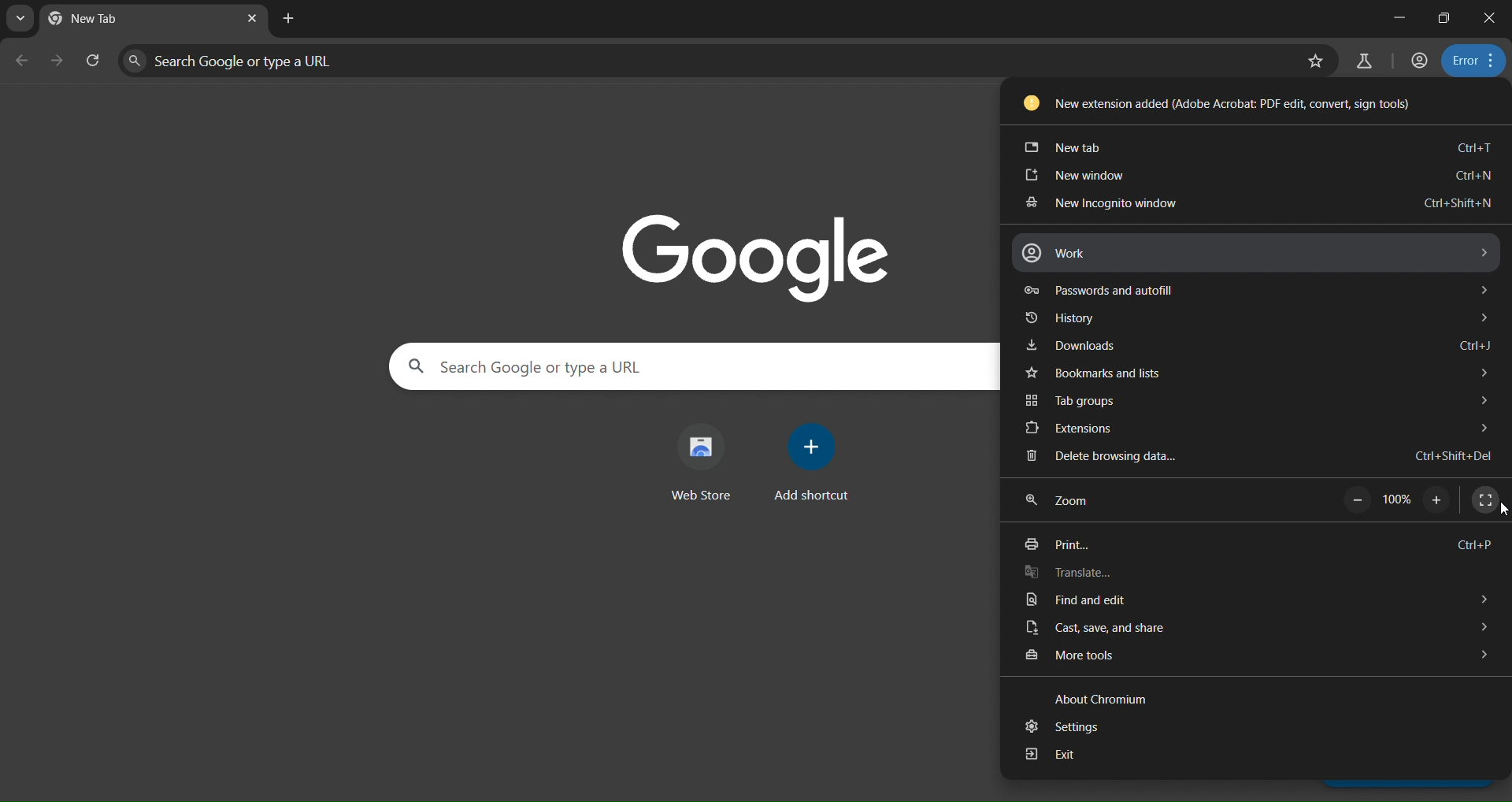  Describe the element at coordinates (1253, 427) in the screenshot. I see `extensions` at that location.